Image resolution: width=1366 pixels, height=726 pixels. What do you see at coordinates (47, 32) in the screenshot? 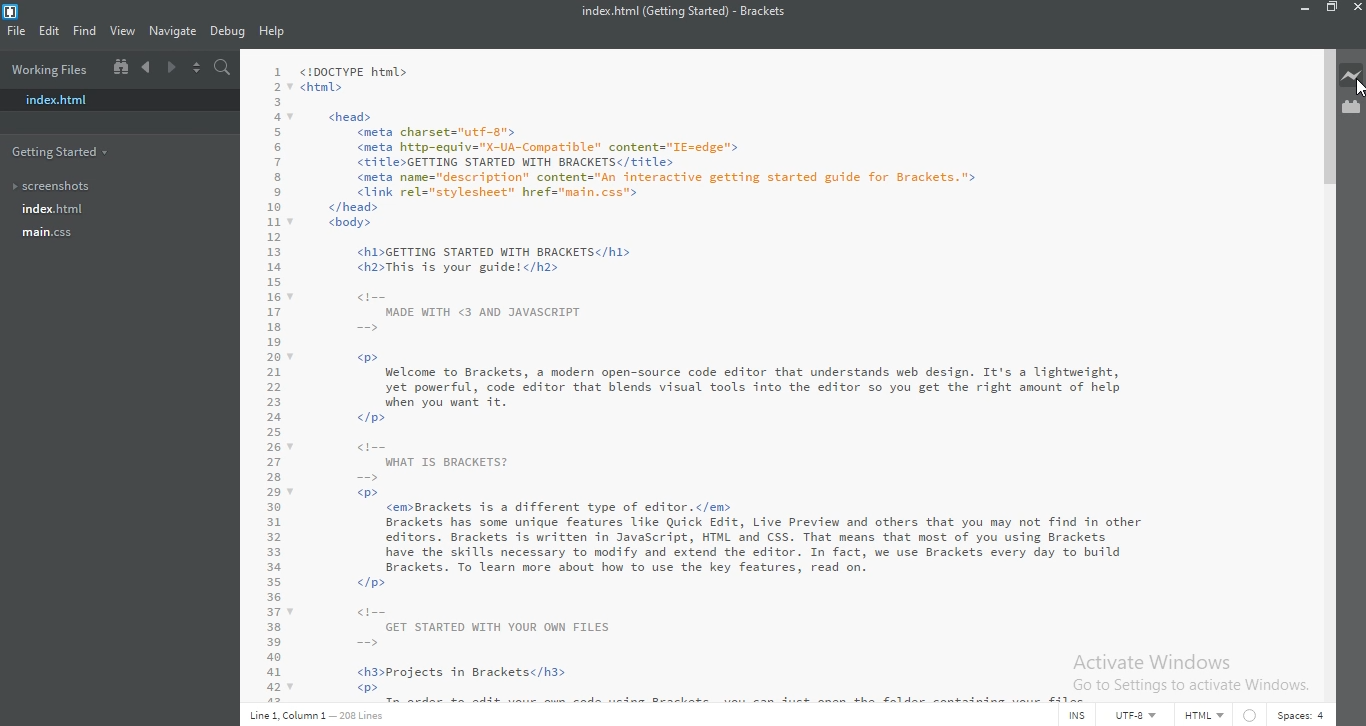
I see `Edit` at bounding box center [47, 32].